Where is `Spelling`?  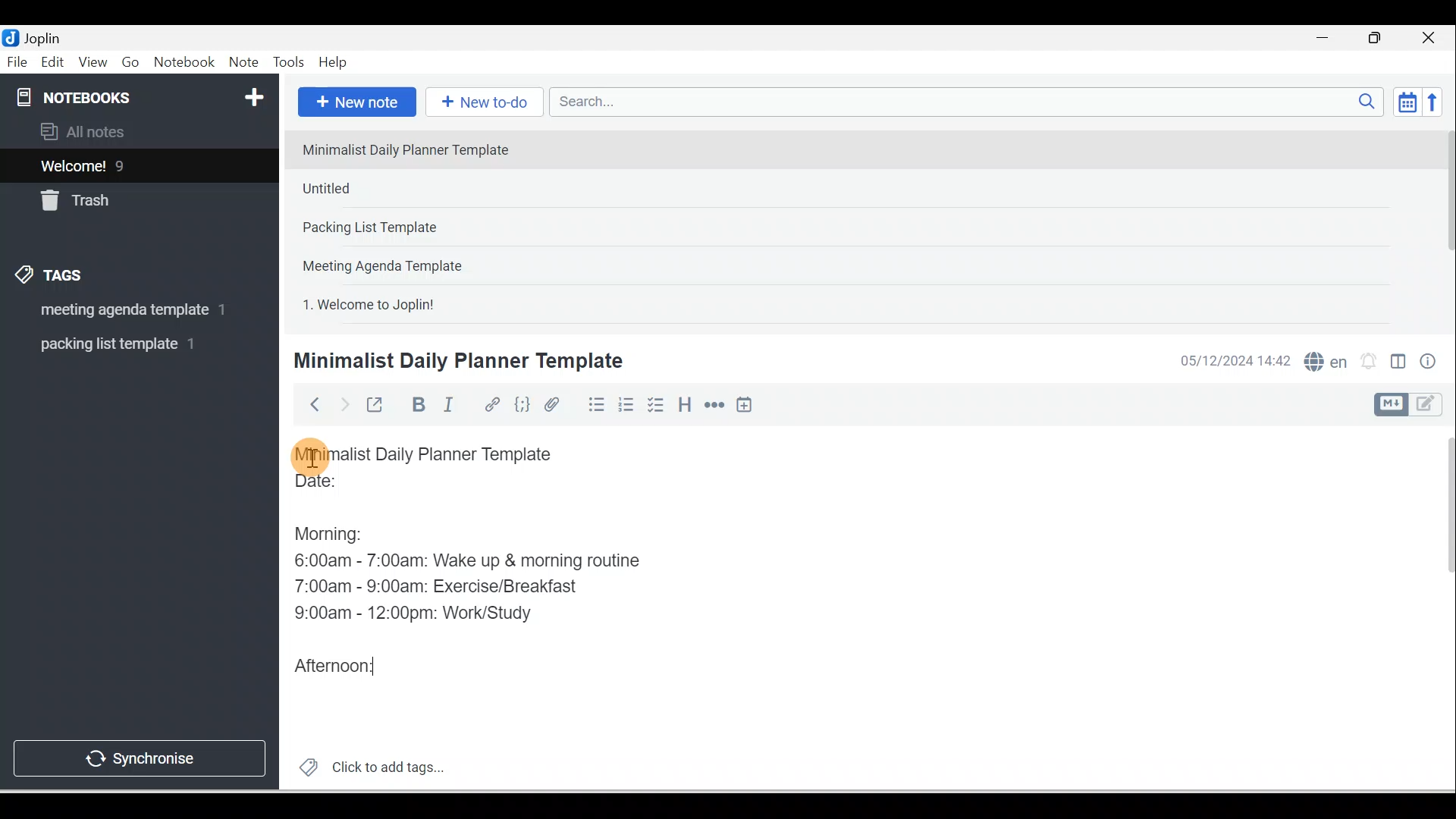
Spelling is located at coordinates (1323, 359).